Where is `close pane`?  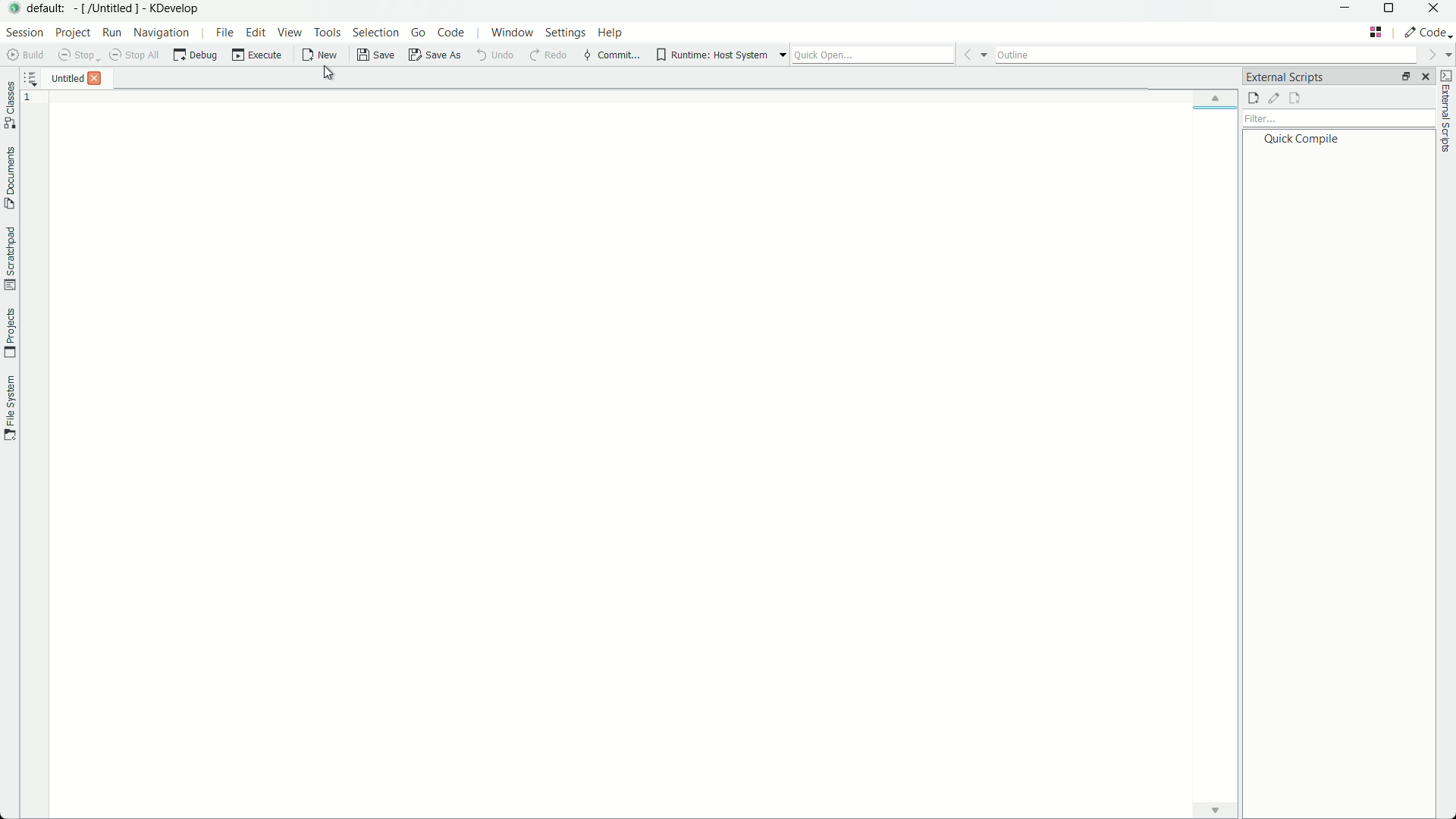 close pane is located at coordinates (1427, 77).